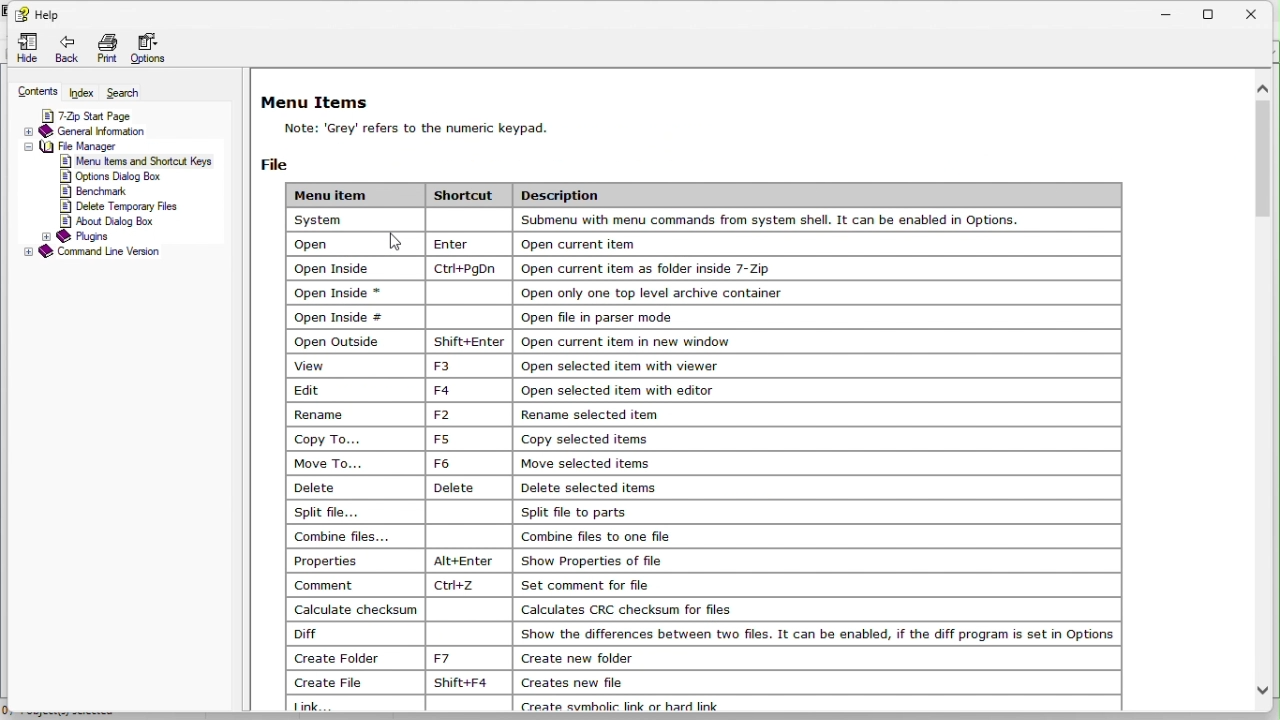 This screenshot has width=1280, height=720. Describe the element at coordinates (401, 239) in the screenshot. I see `cursor` at that location.